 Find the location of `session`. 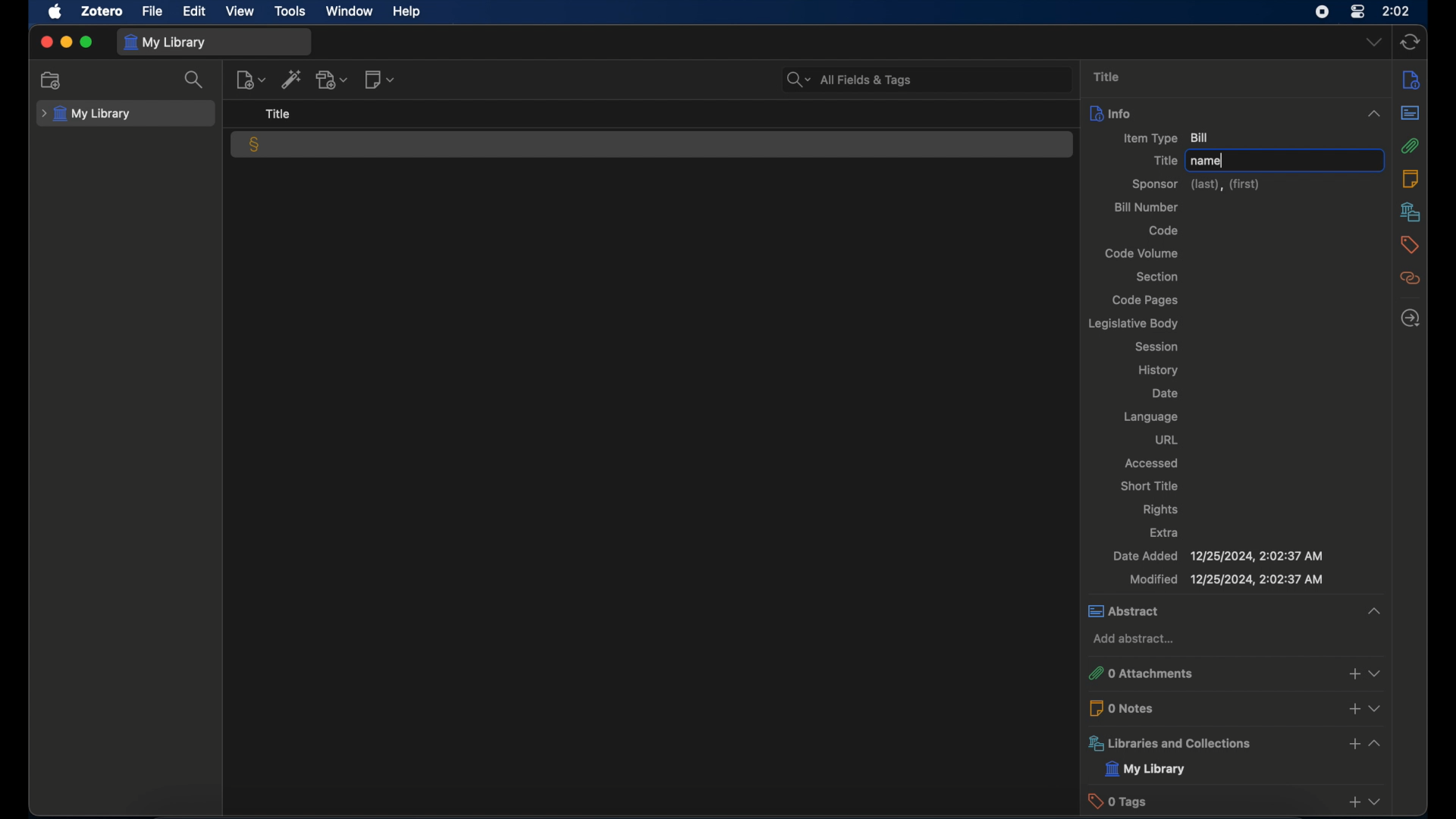

session is located at coordinates (1157, 347).